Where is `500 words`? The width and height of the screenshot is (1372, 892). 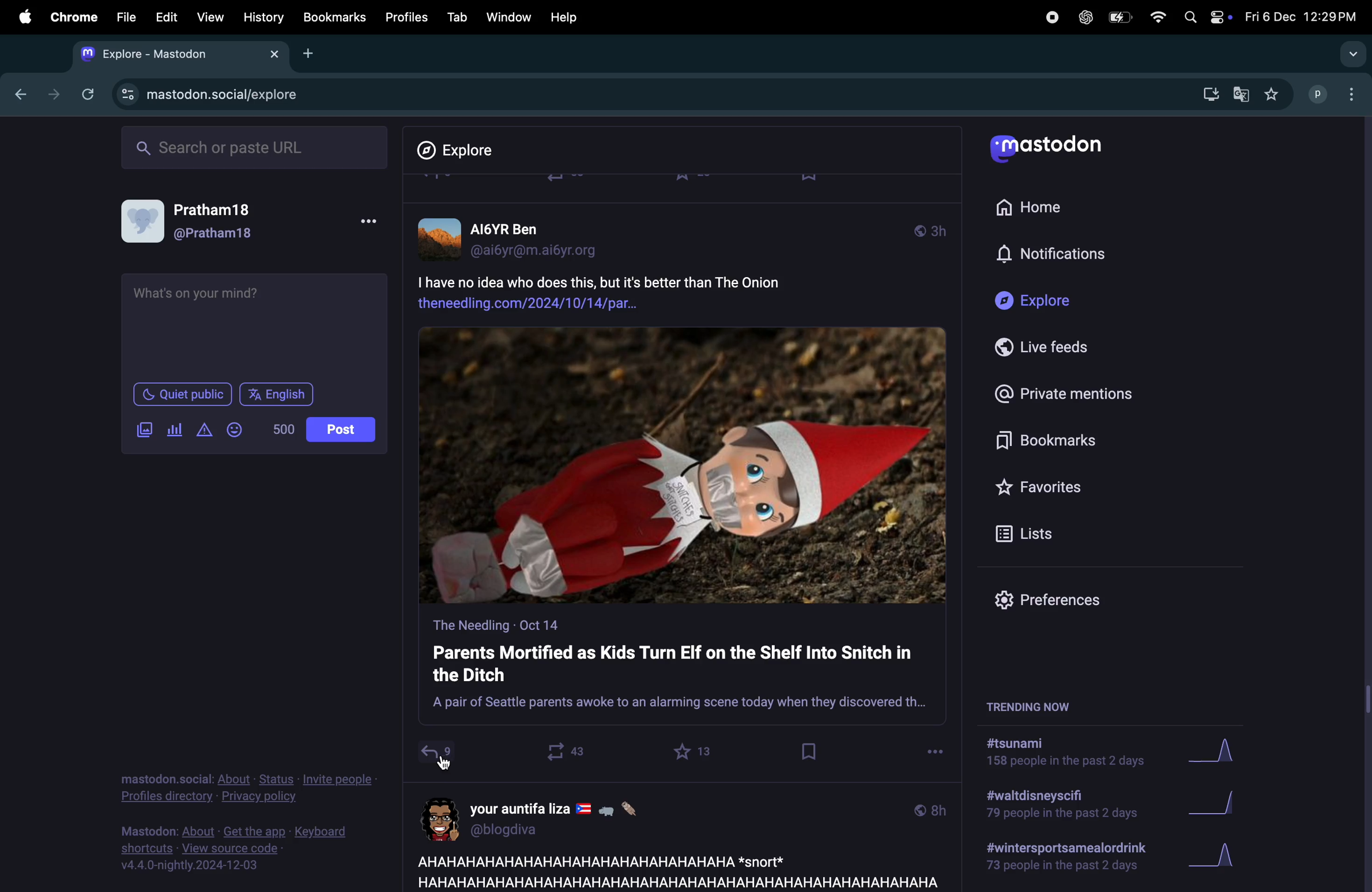
500 words is located at coordinates (282, 429).